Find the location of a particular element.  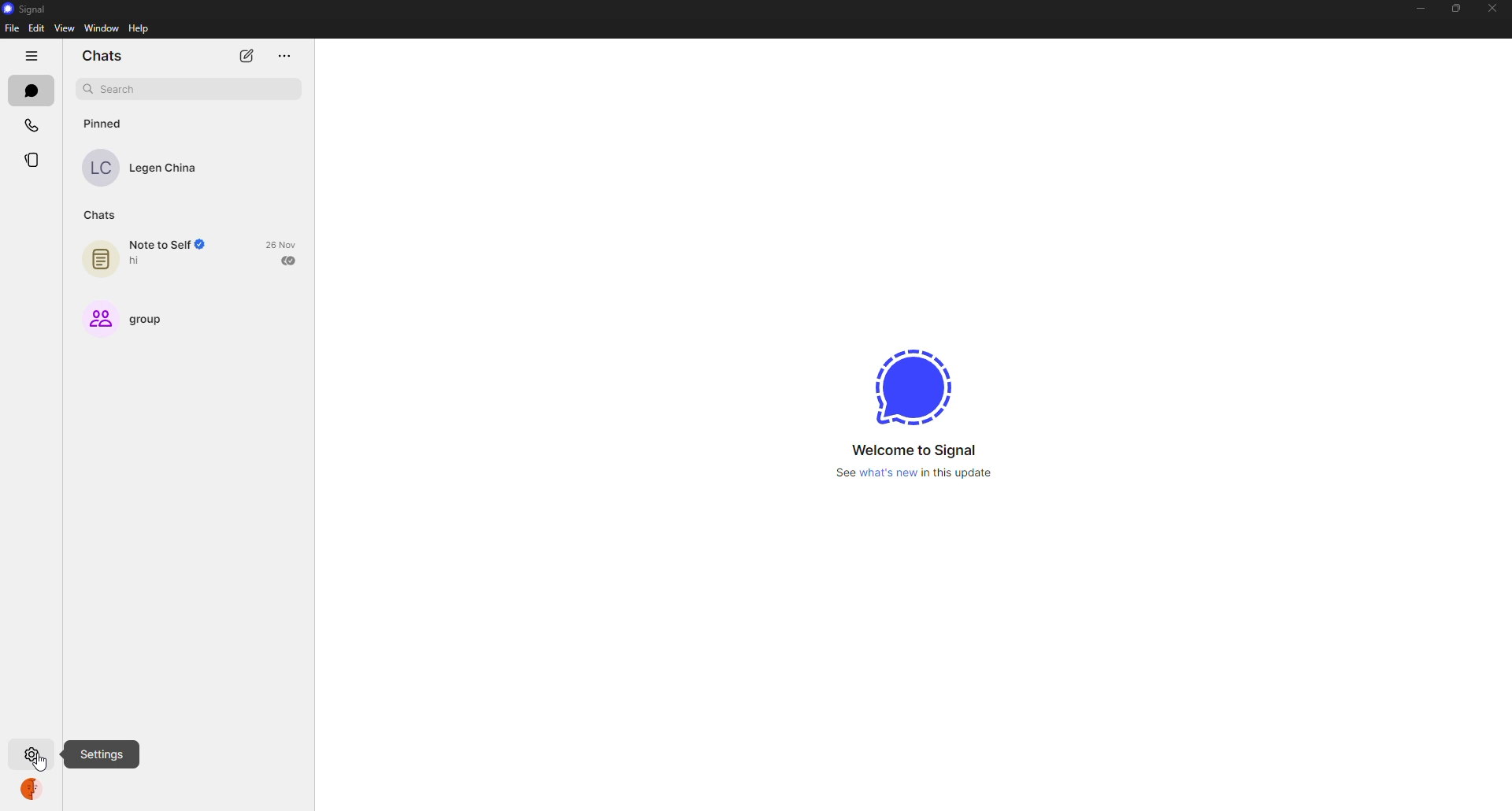

view is located at coordinates (65, 28).